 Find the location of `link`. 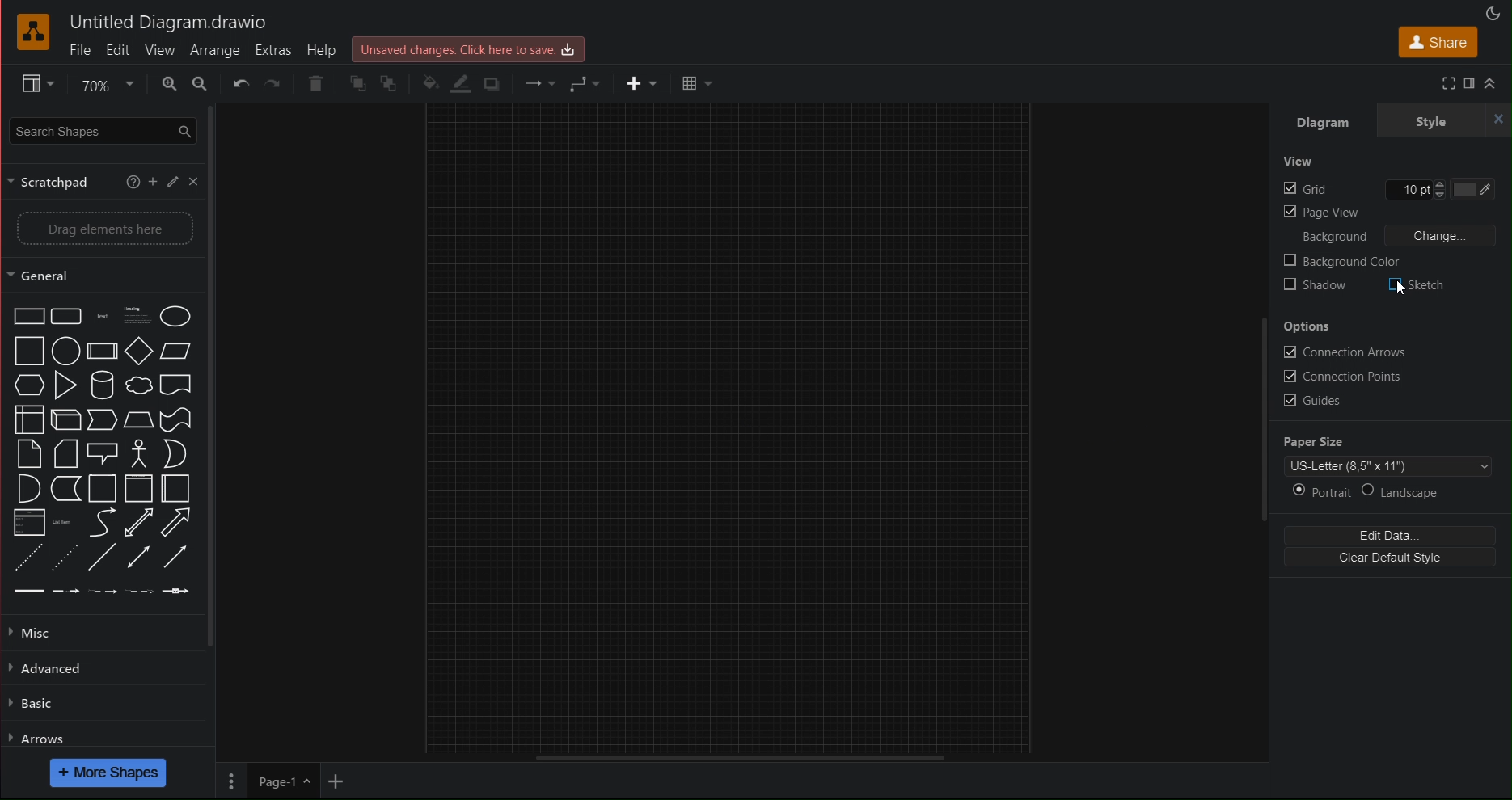

link is located at coordinates (28, 594).